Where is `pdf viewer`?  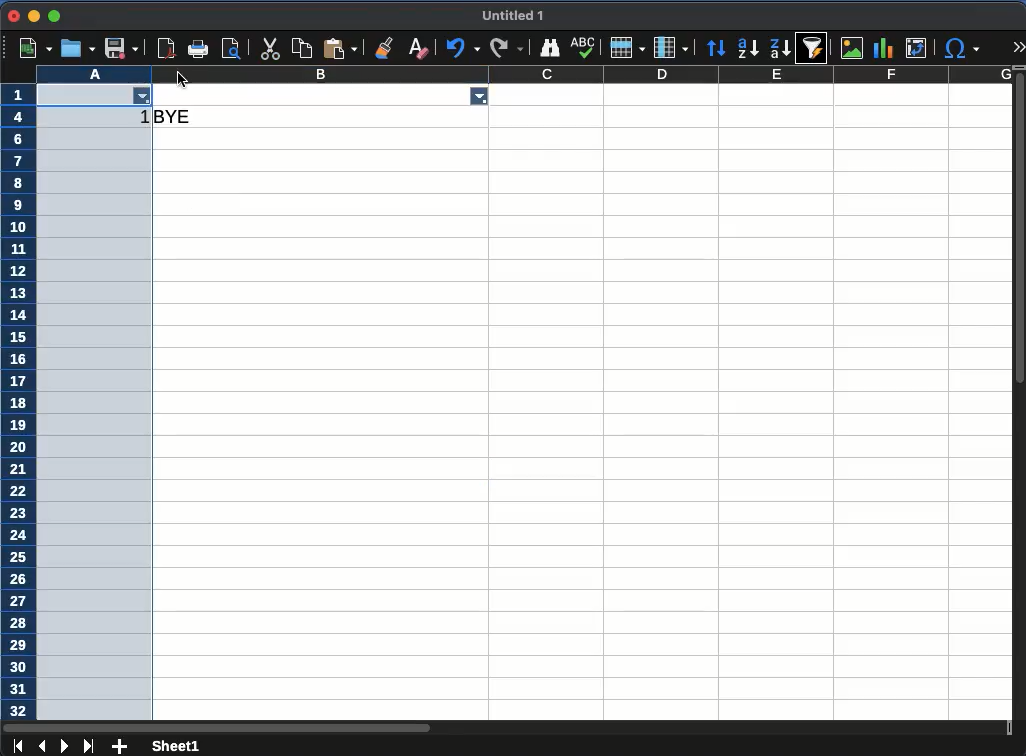
pdf viewer is located at coordinates (169, 48).